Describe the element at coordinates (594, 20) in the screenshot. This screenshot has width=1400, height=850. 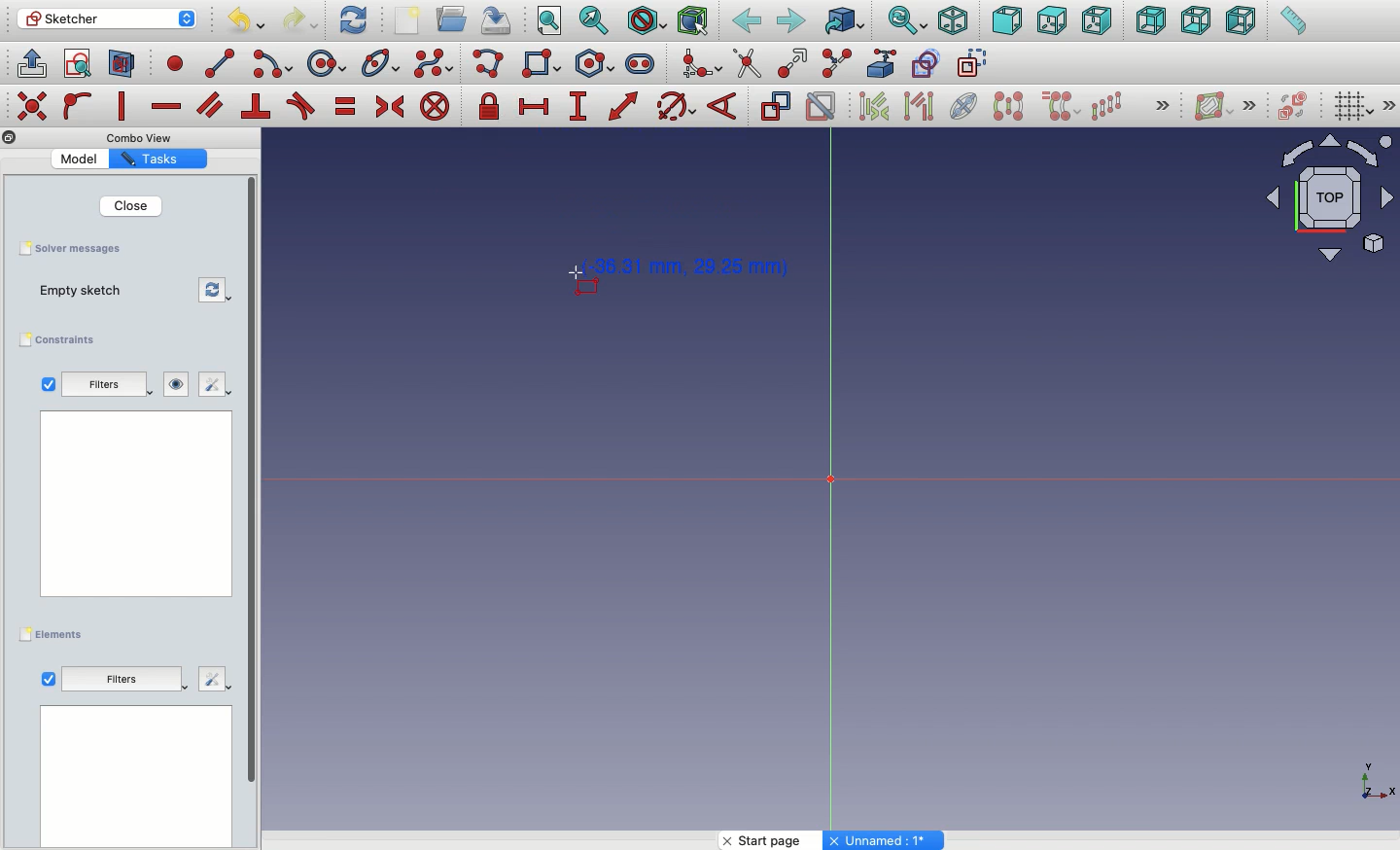
I see `Fit selection` at that location.